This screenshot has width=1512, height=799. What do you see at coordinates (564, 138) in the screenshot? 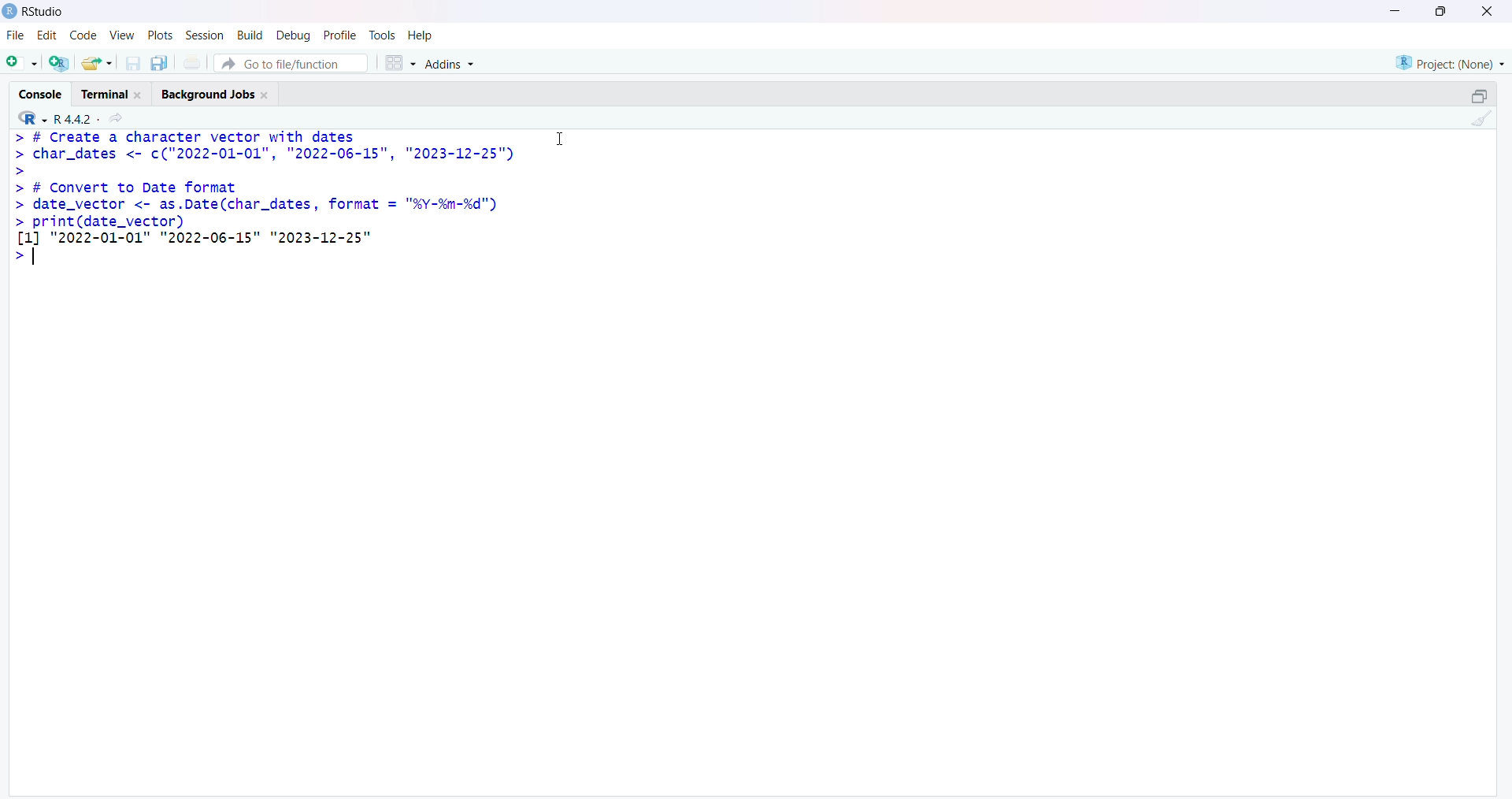
I see `Cursor` at bounding box center [564, 138].